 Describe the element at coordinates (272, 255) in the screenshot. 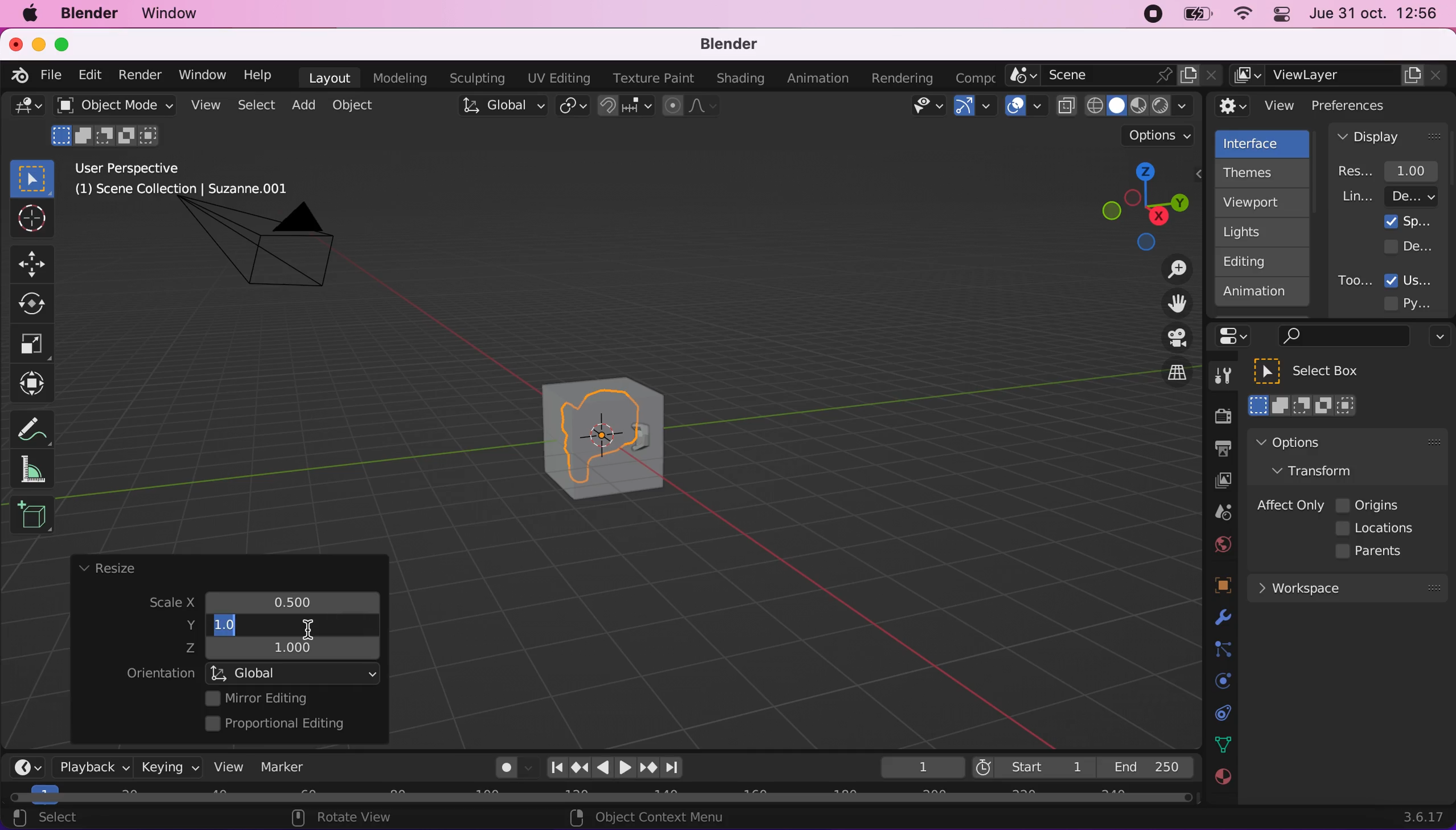

I see `camera` at that location.